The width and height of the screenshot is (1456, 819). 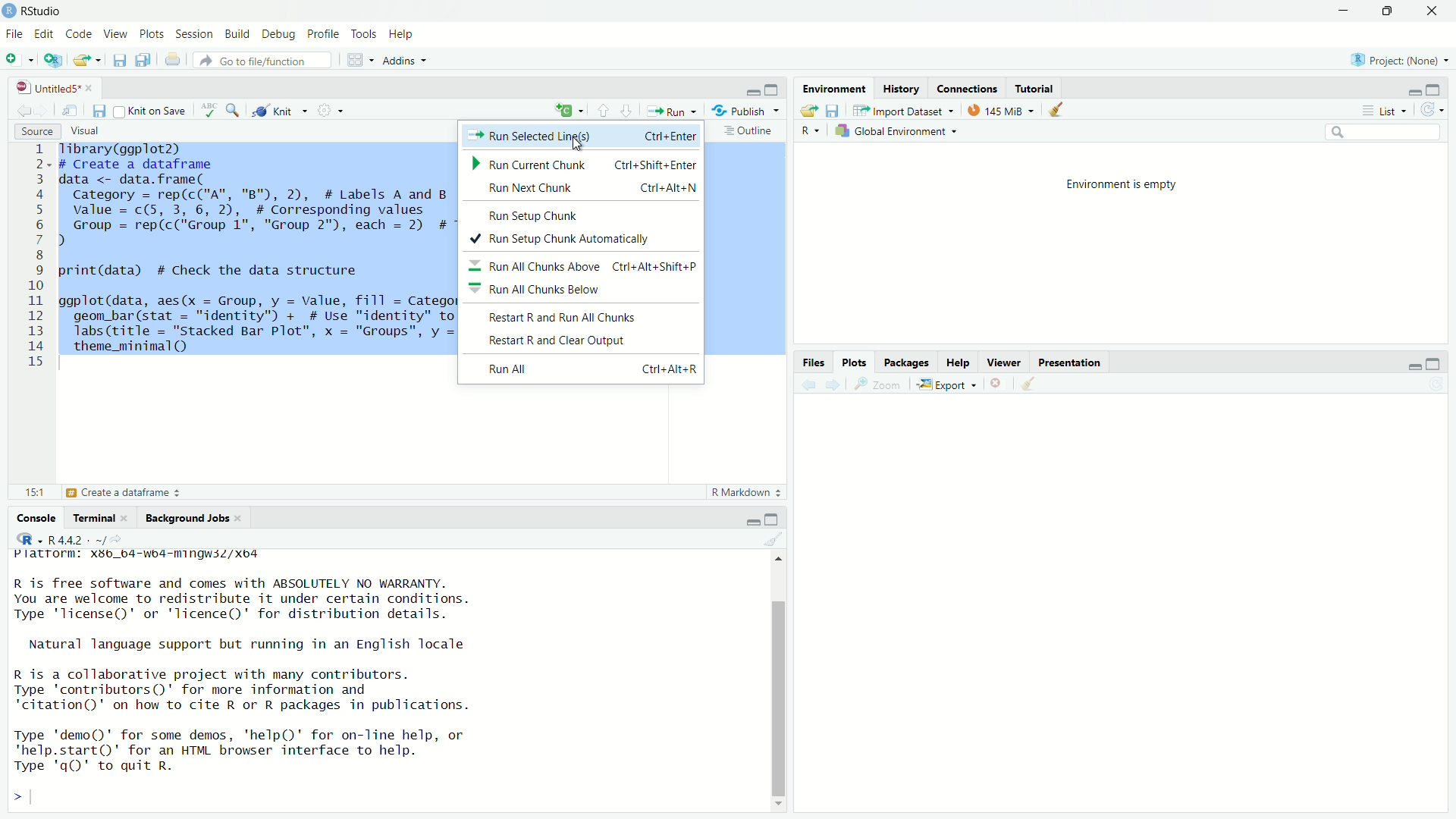 I want to click on Save current document (Ctrl + S), so click(x=99, y=109).